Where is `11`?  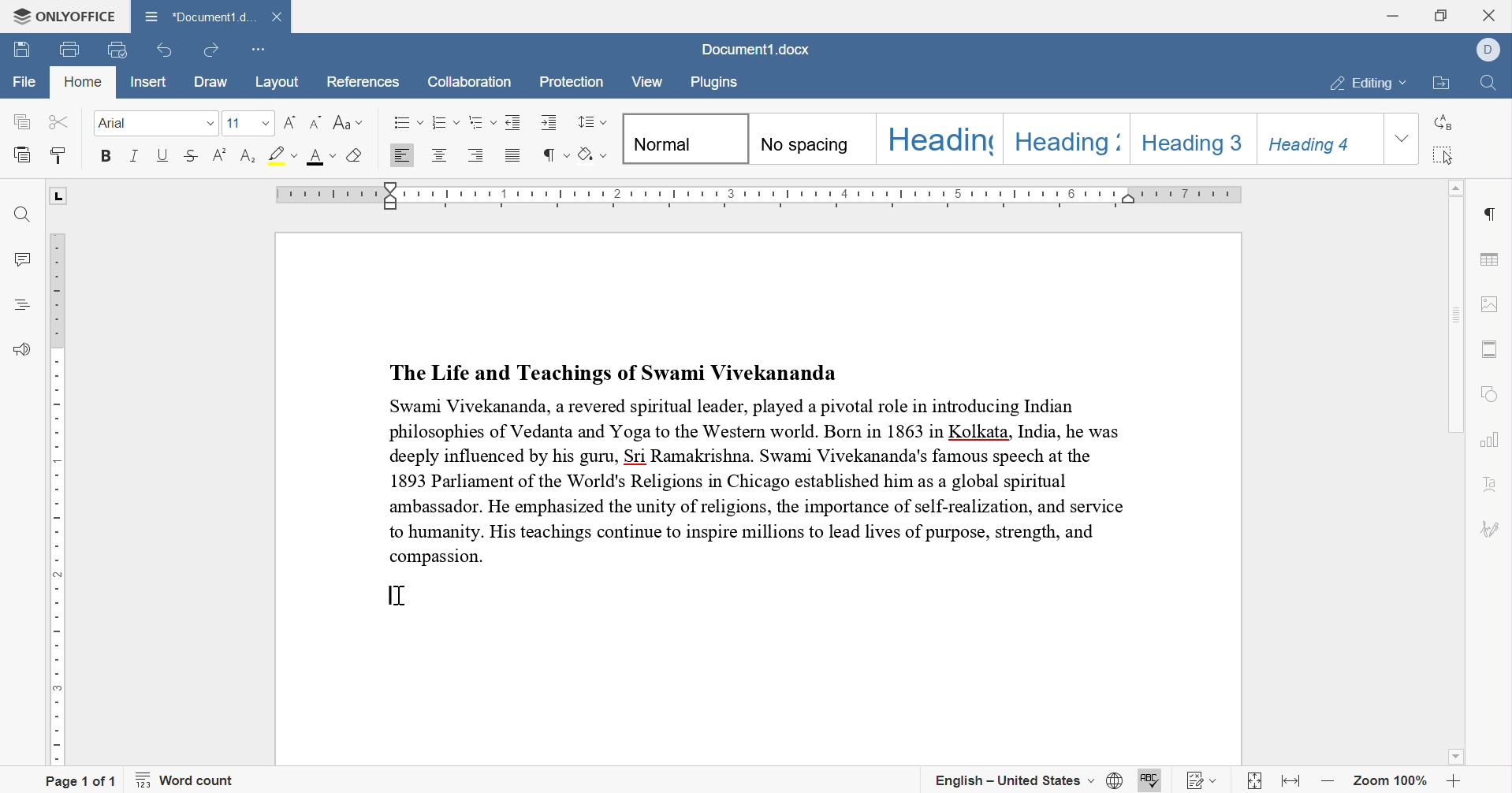 11 is located at coordinates (237, 124).